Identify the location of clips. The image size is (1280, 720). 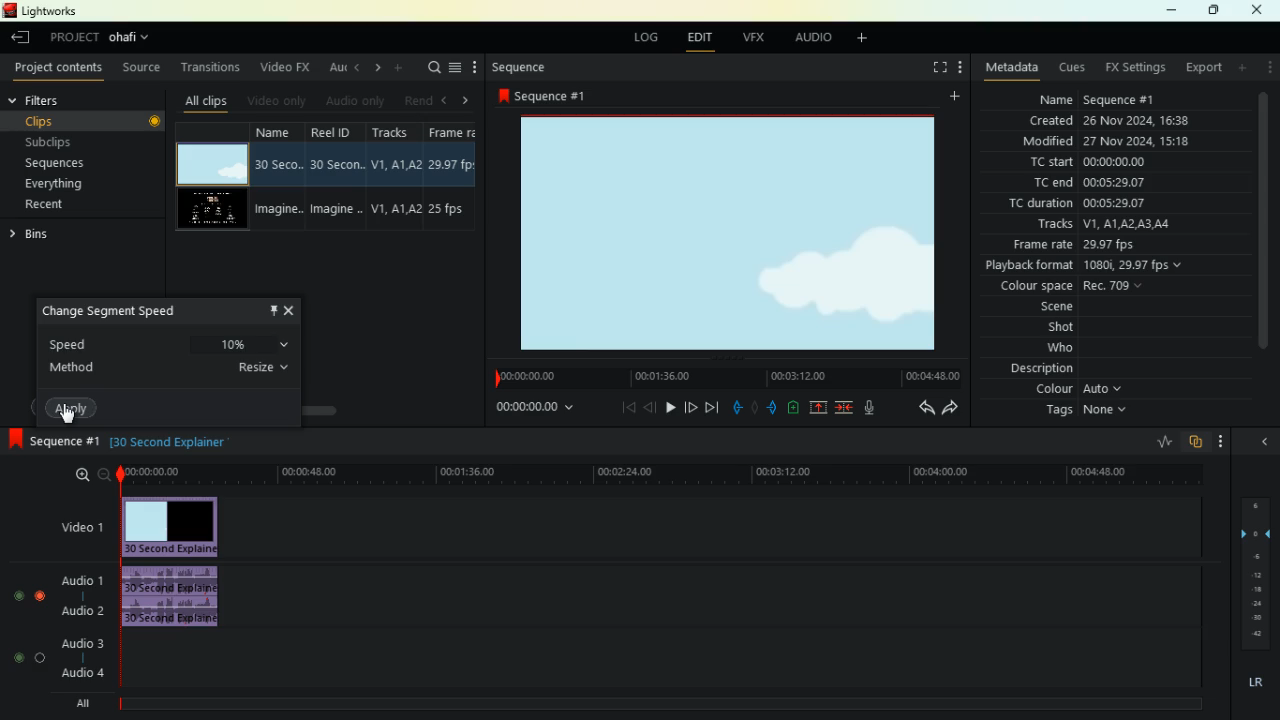
(63, 121).